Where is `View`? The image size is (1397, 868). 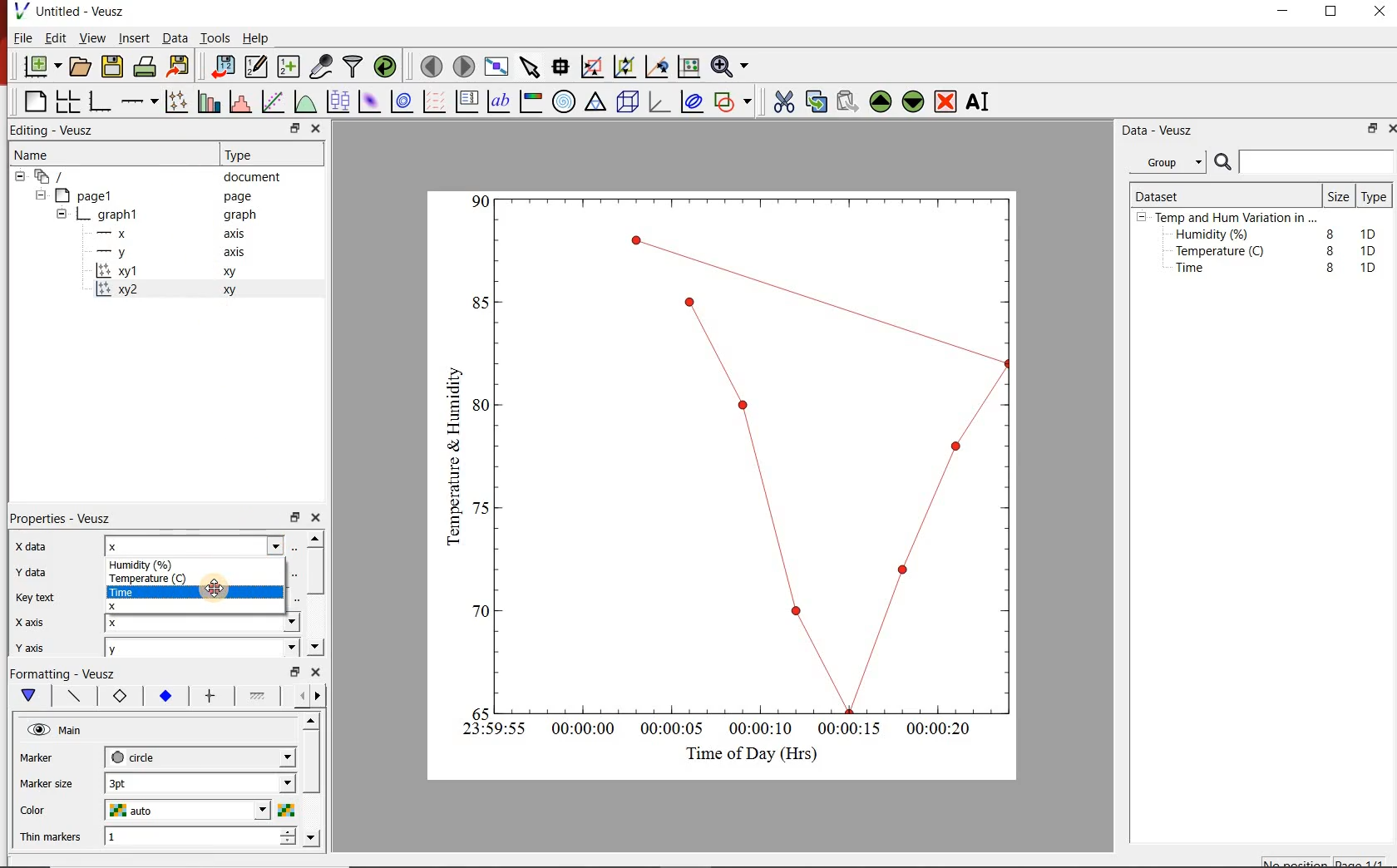
View is located at coordinates (92, 38).